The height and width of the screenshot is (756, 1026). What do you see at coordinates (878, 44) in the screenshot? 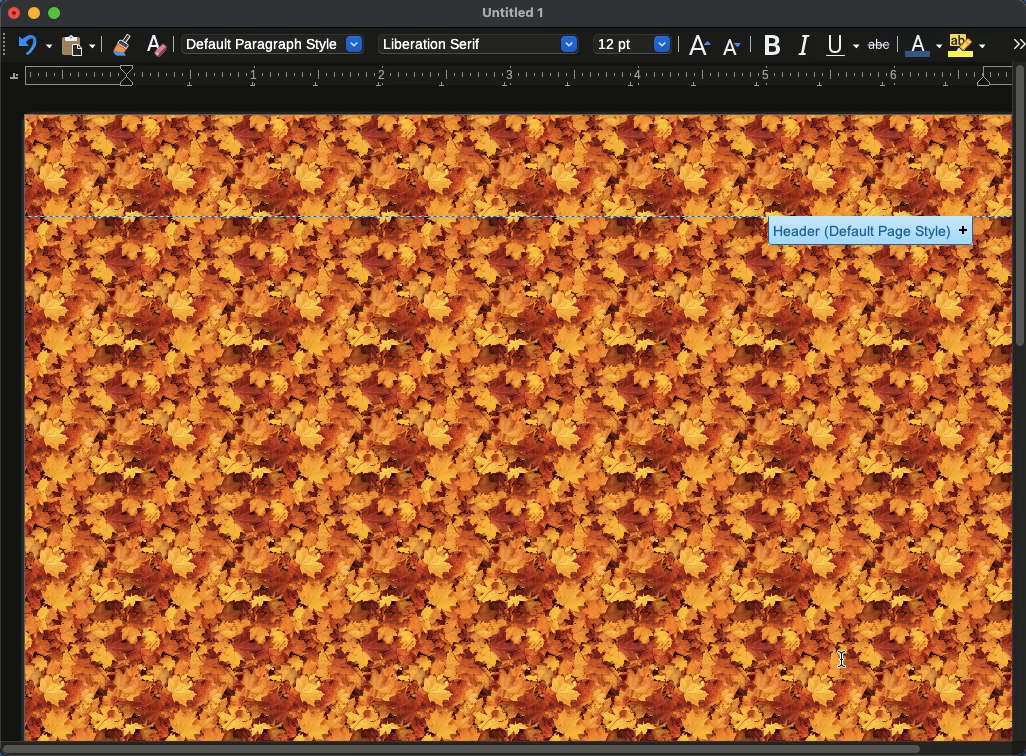
I see `strikethrough` at bounding box center [878, 44].